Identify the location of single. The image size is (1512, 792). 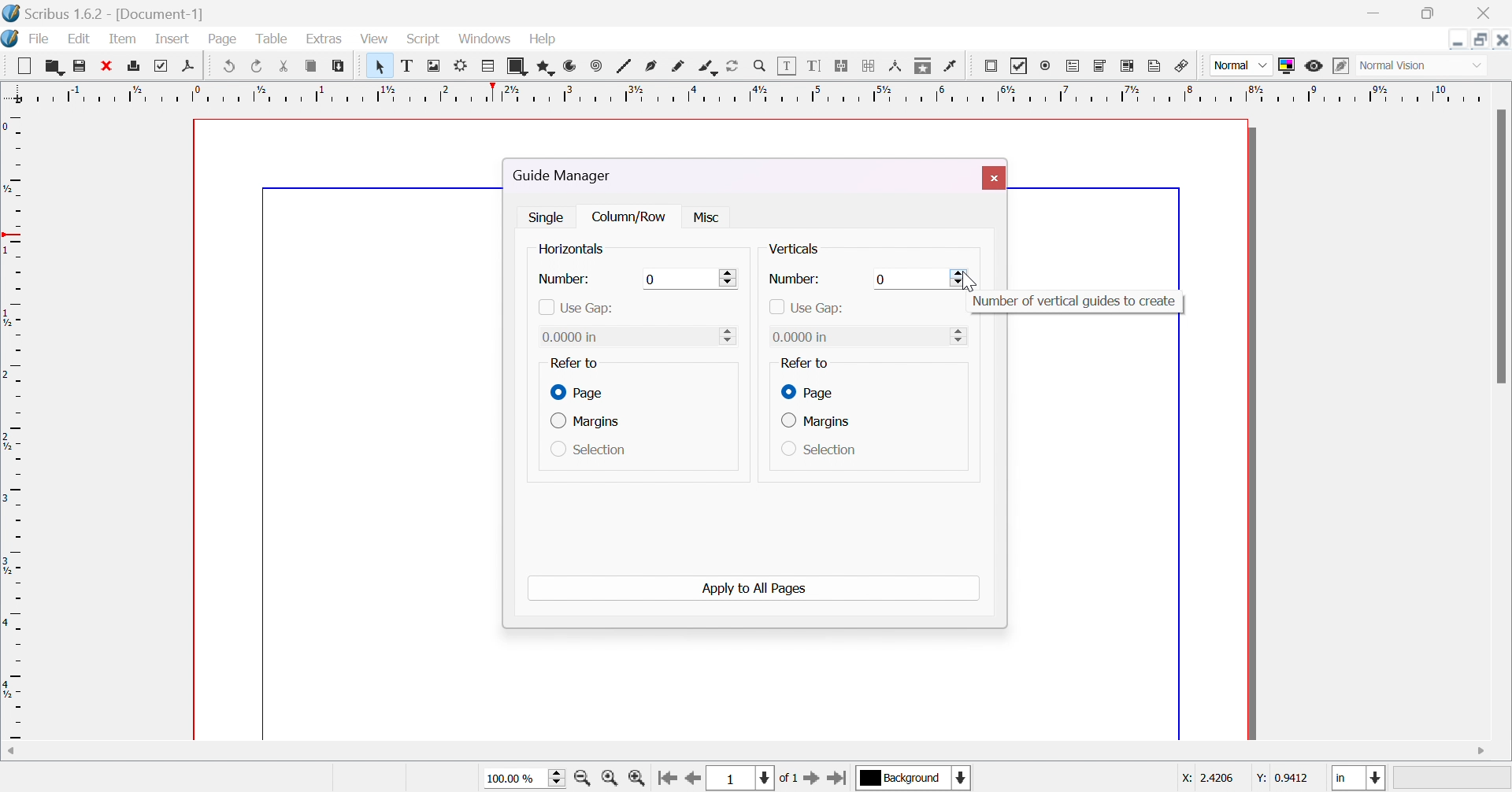
(549, 216).